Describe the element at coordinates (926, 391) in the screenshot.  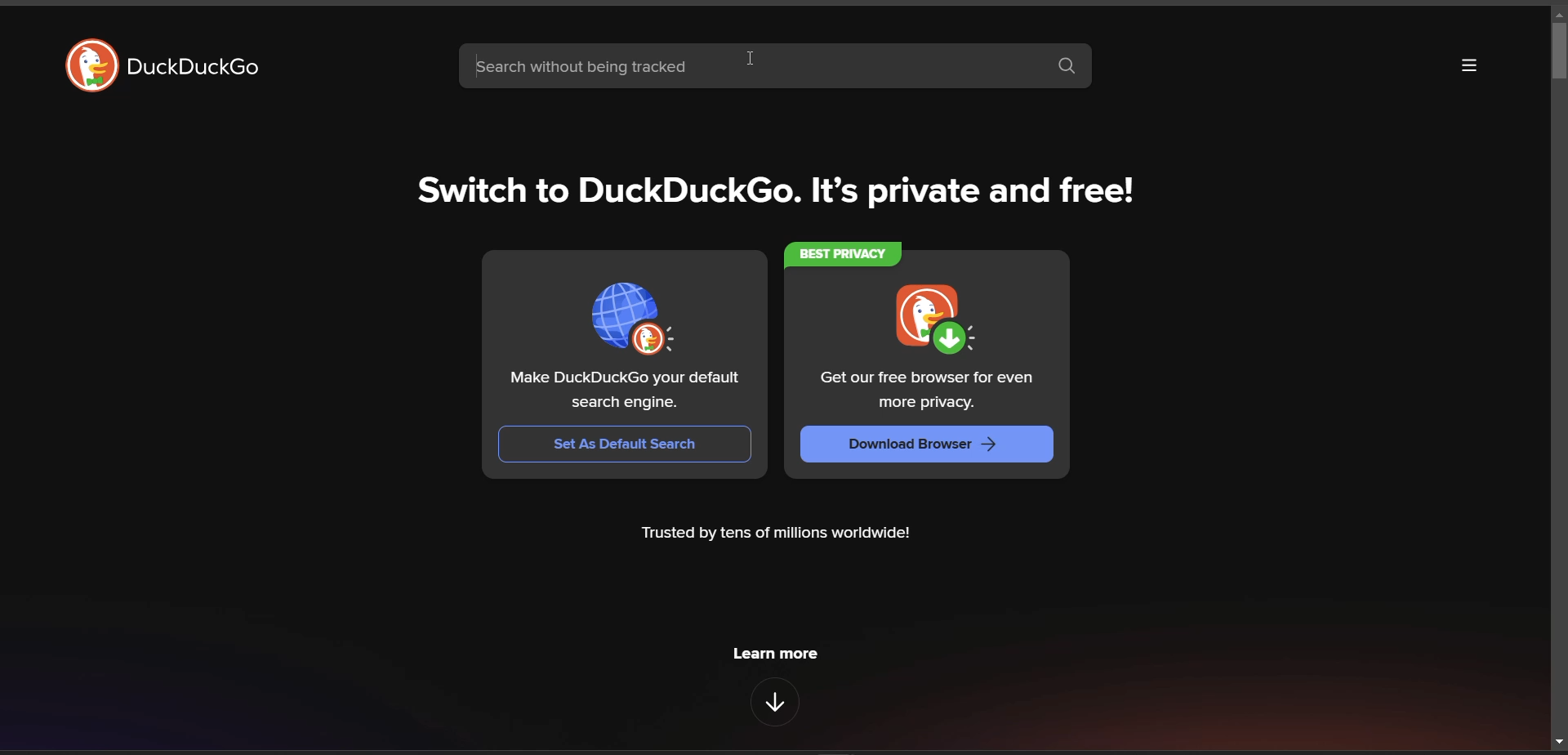
I see `Get our free browser for even more privacy.` at that location.